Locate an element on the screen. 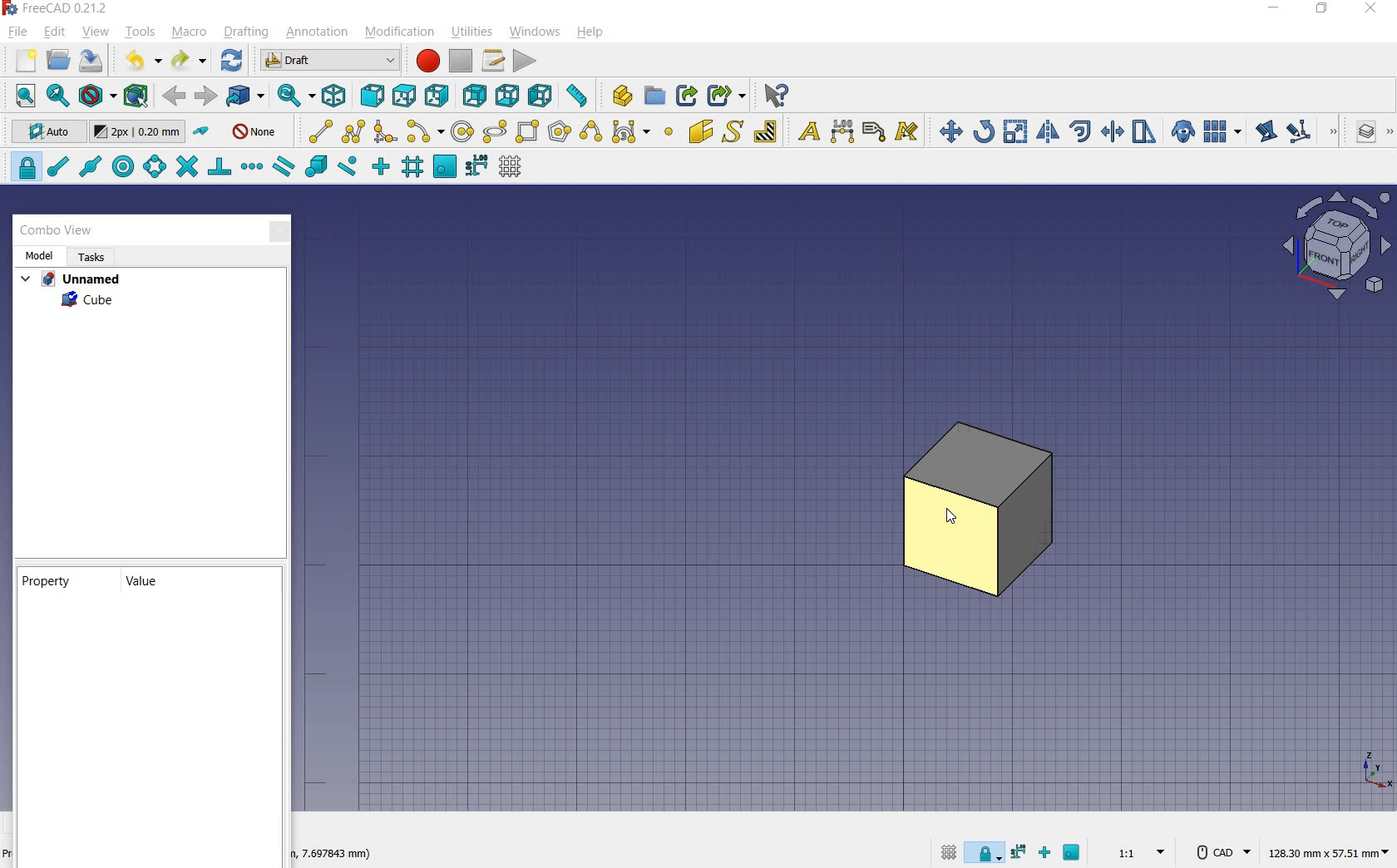 This screenshot has width=1397, height=868. make sub link is located at coordinates (726, 96).